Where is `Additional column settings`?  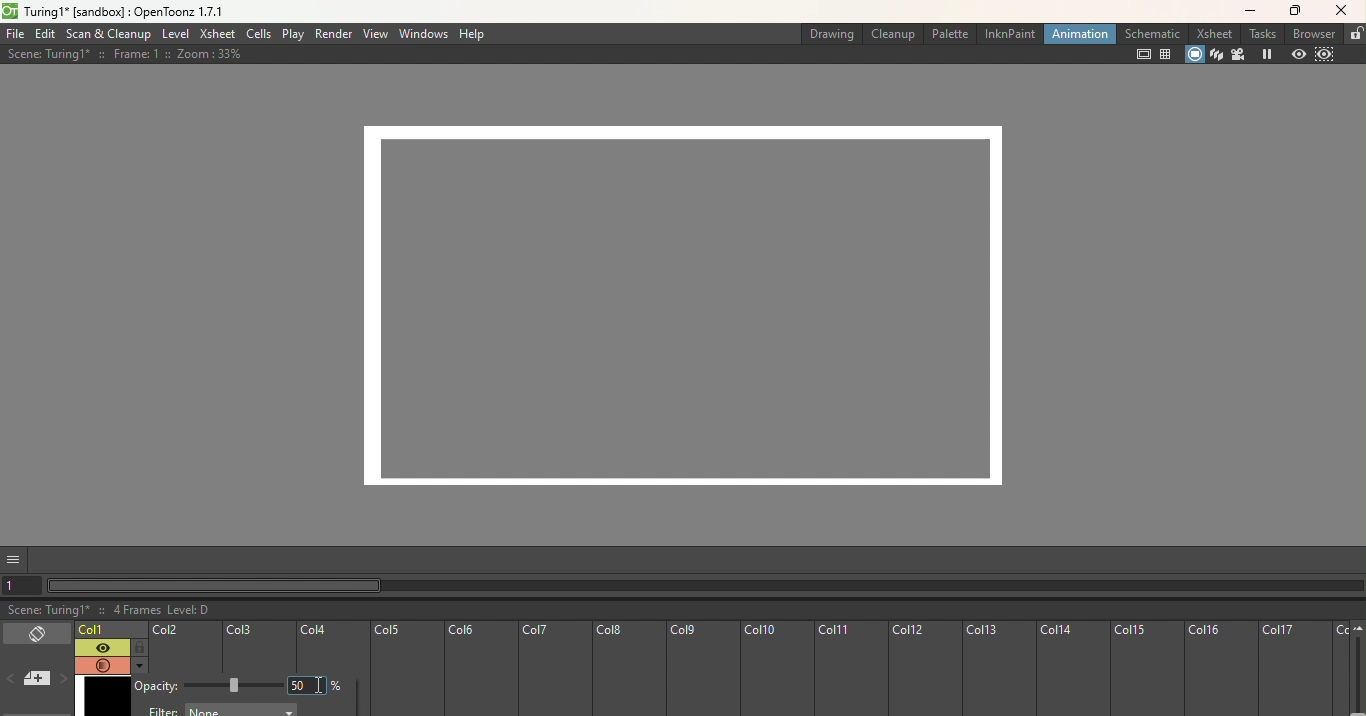 Additional column settings is located at coordinates (138, 665).